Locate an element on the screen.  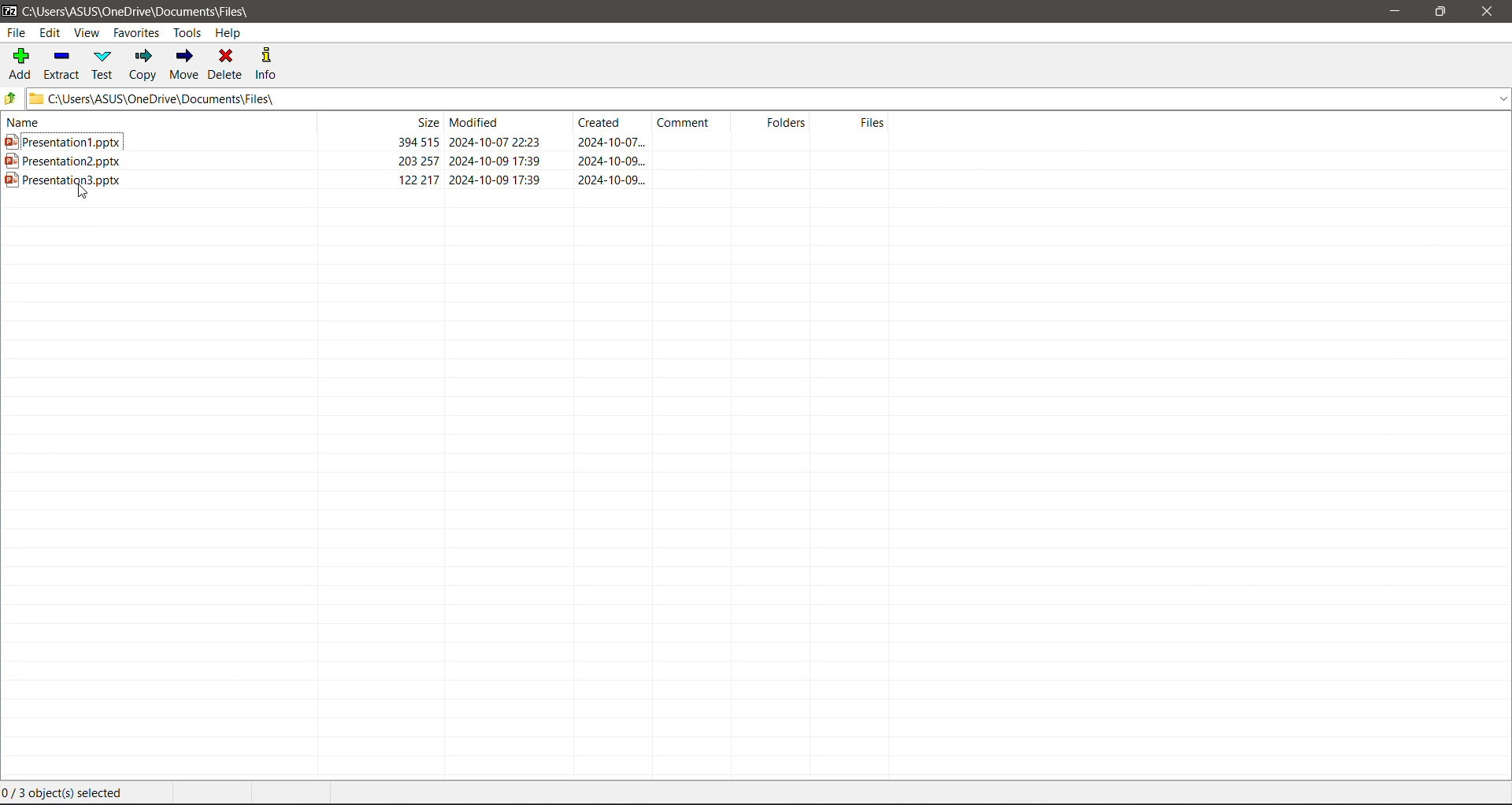
View is located at coordinates (86, 33).